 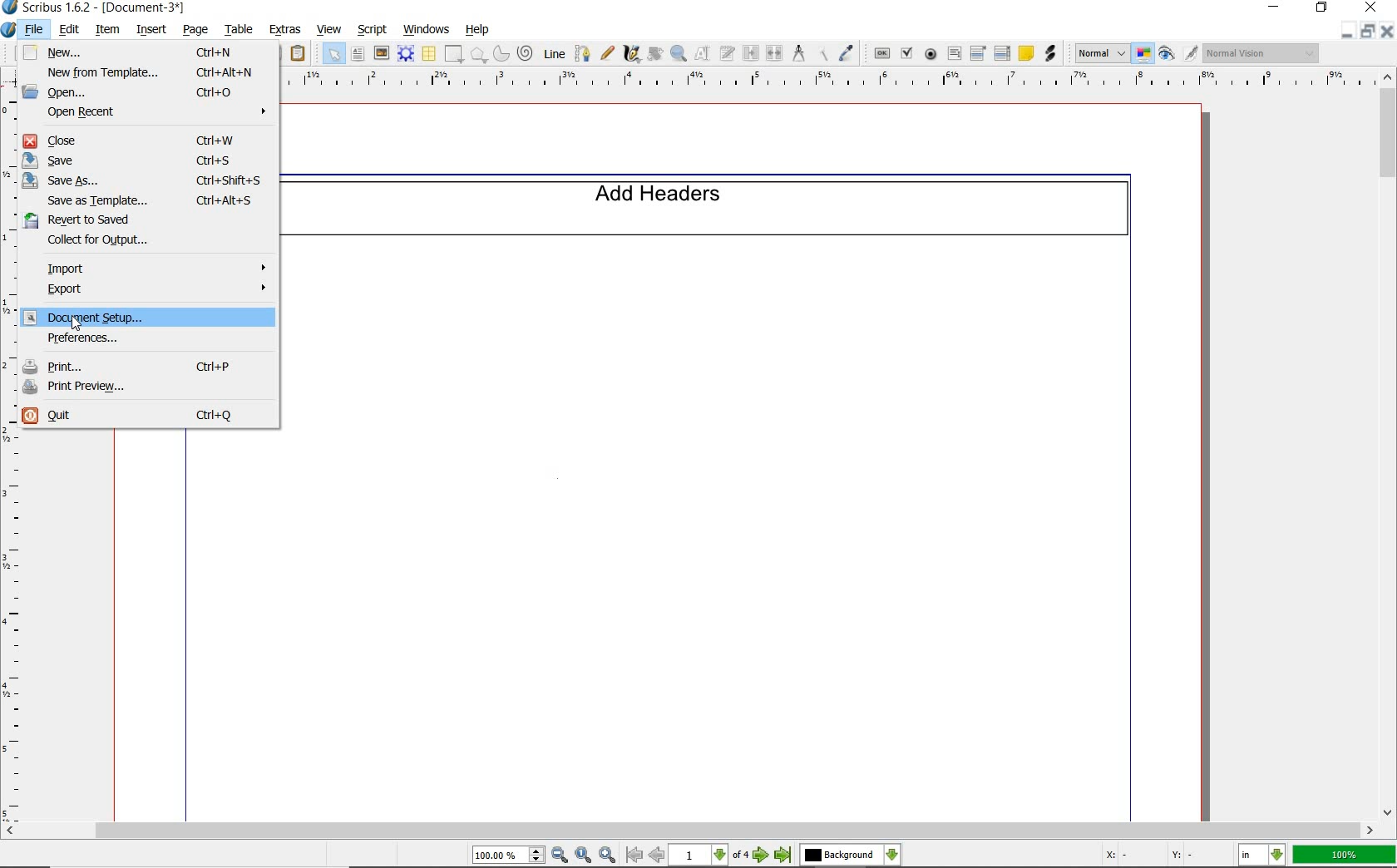 I want to click on script, so click(x=373, y=29).